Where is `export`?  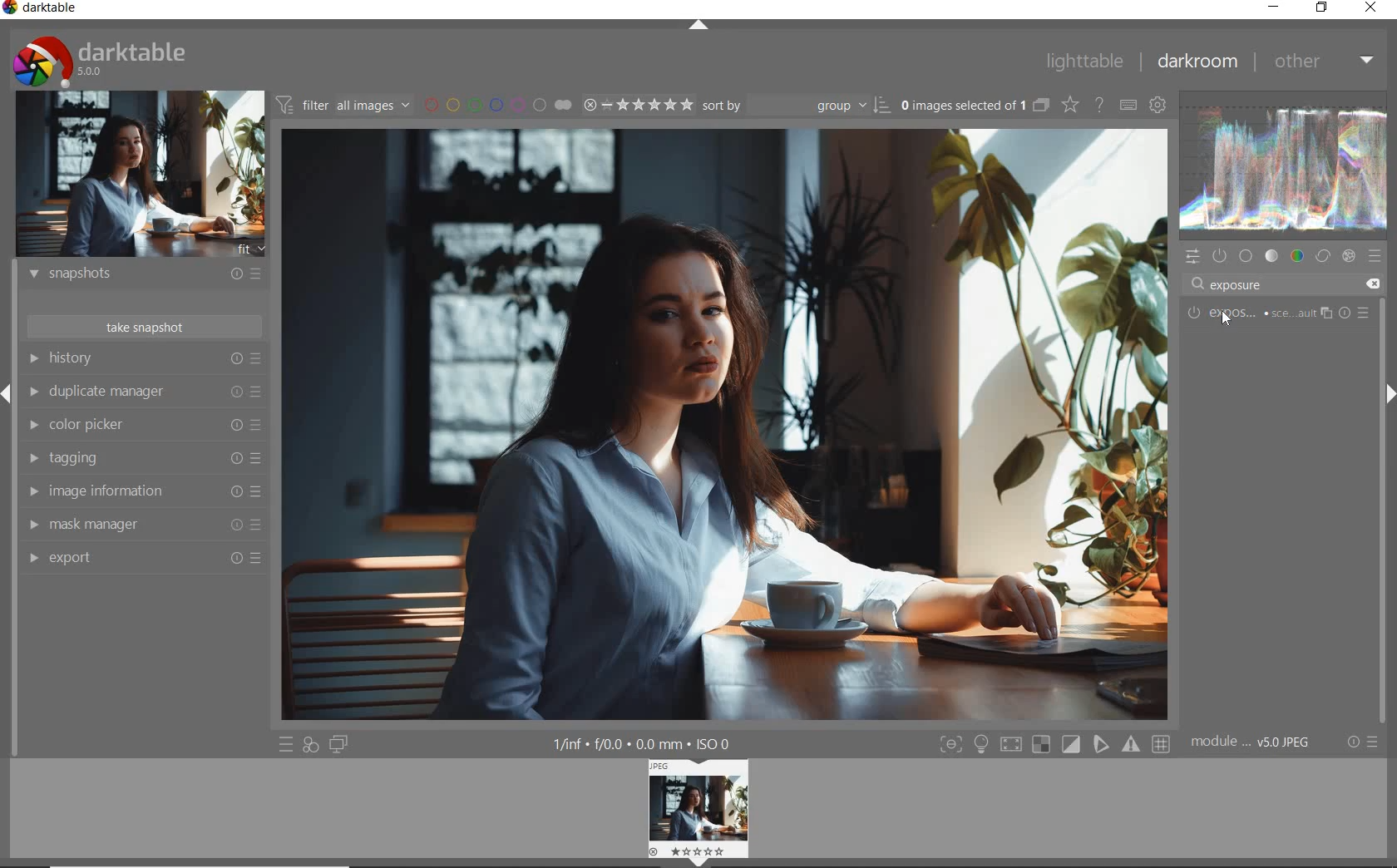
export is located at coordinates (144, 557).